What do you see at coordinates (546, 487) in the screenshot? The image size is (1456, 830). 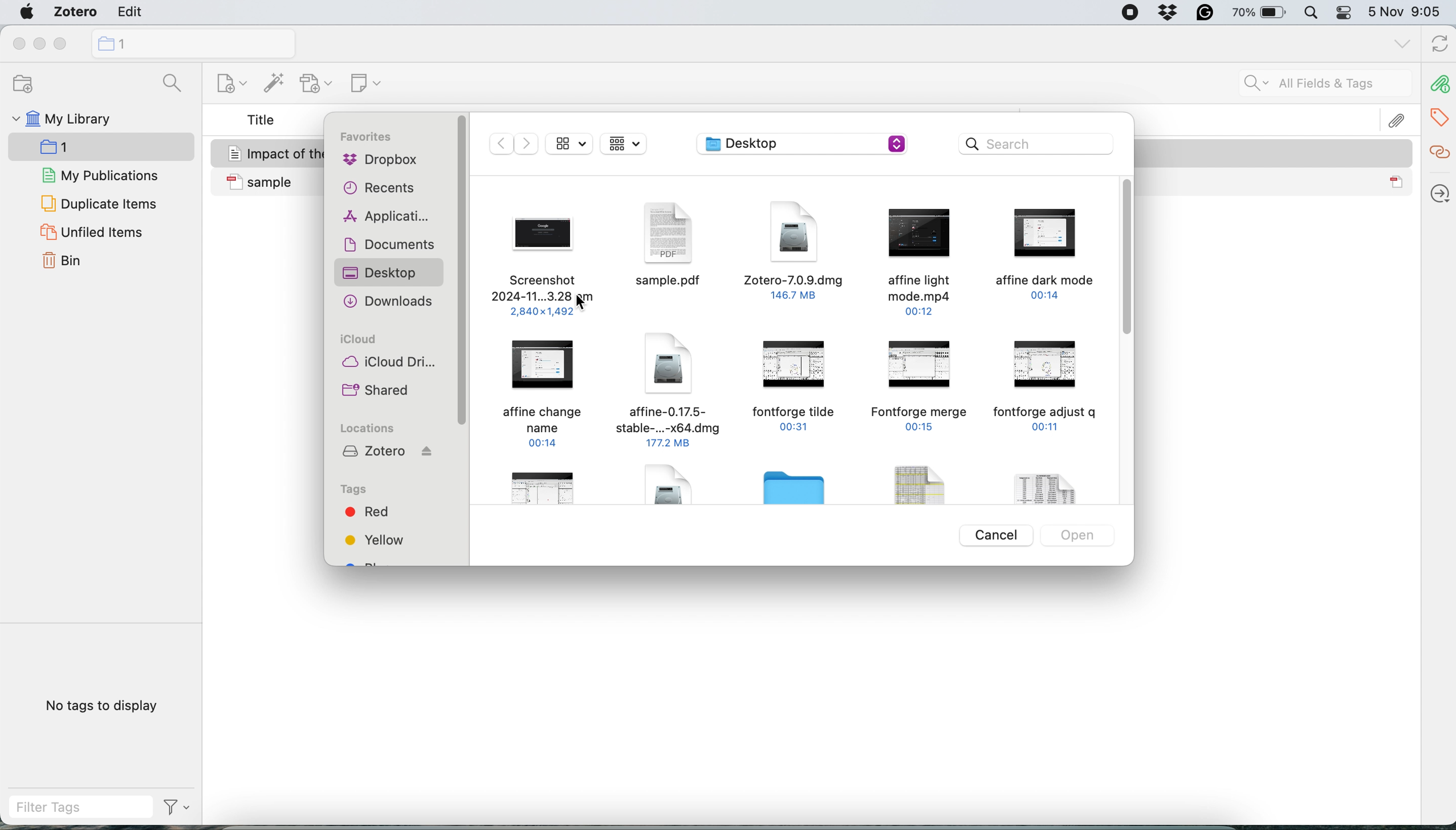 I see `file` at bounding box center [546, 487].